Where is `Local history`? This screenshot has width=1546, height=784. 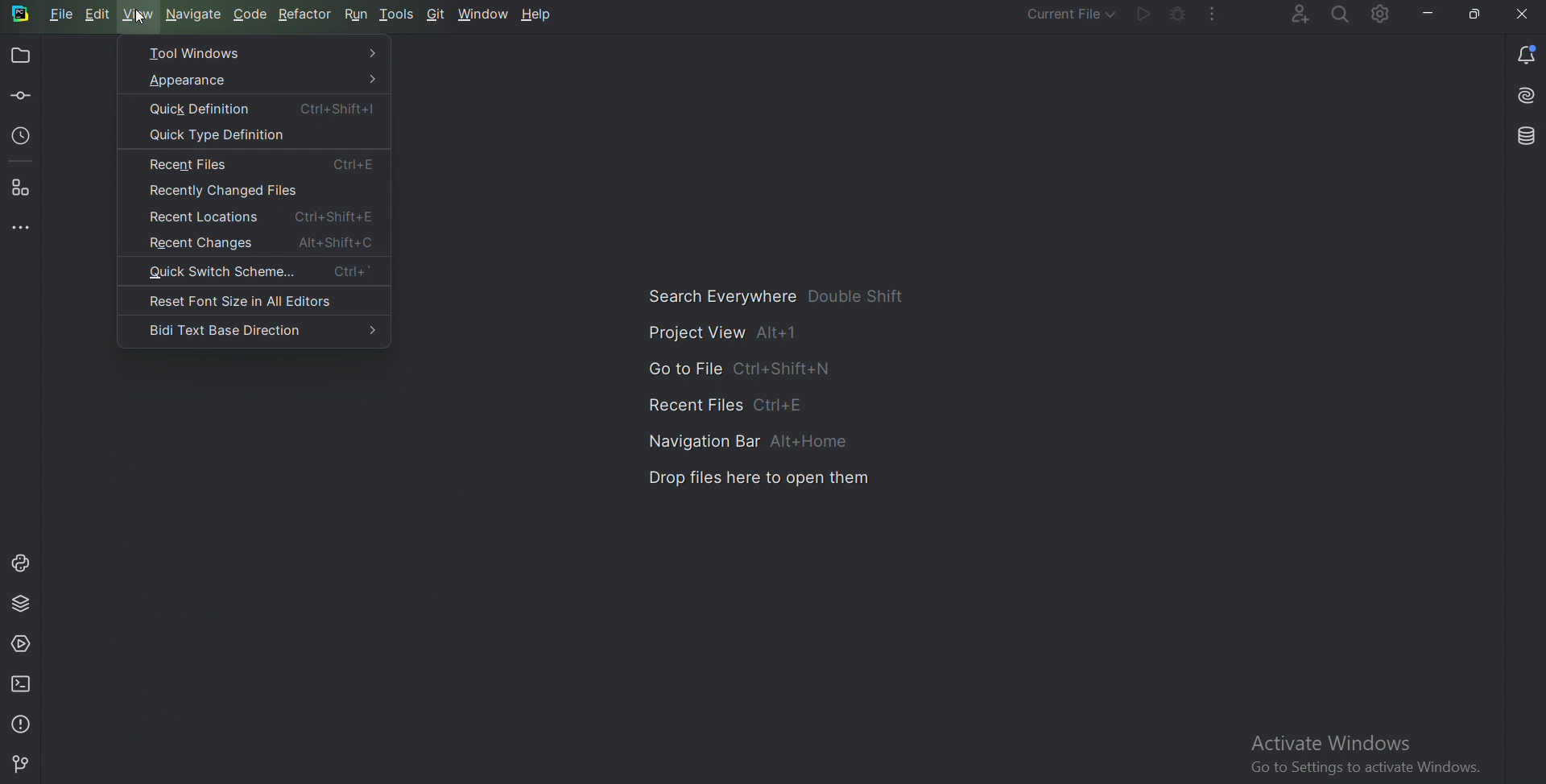 Local history is located at coordinates (23, 135).